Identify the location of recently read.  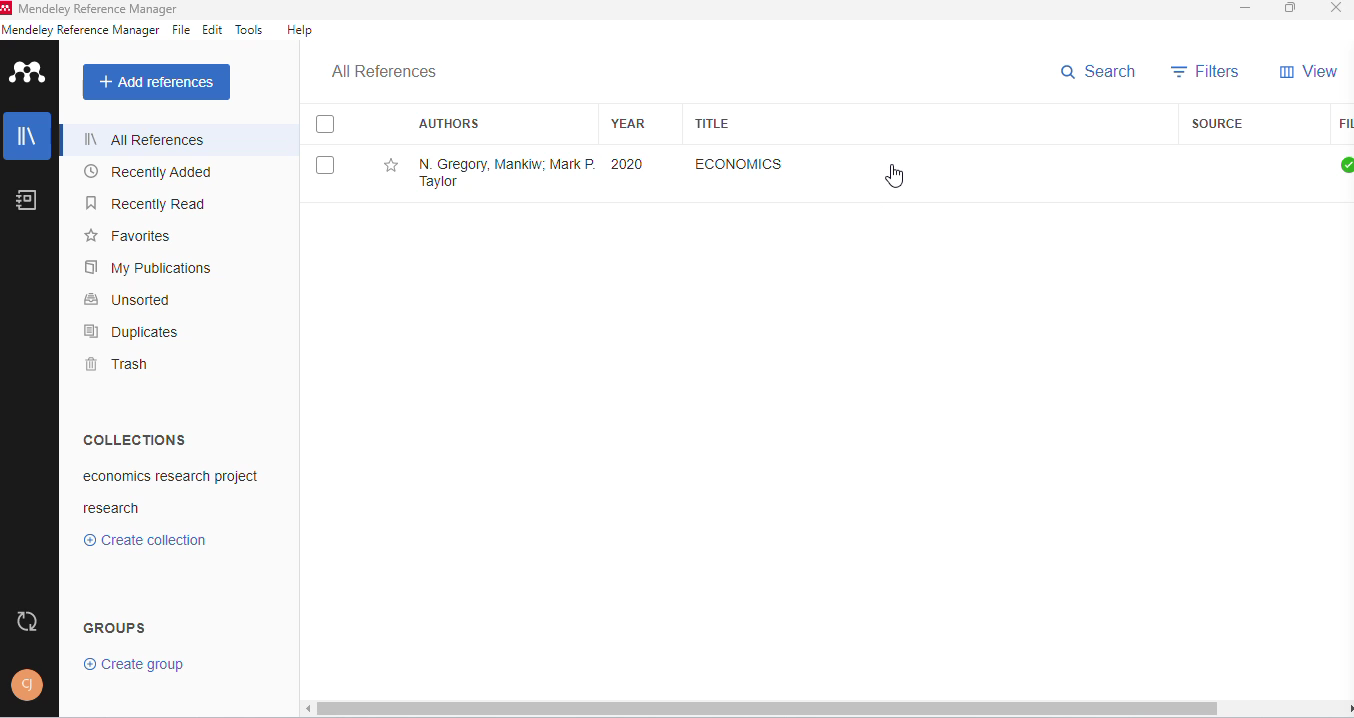
(146, 203).